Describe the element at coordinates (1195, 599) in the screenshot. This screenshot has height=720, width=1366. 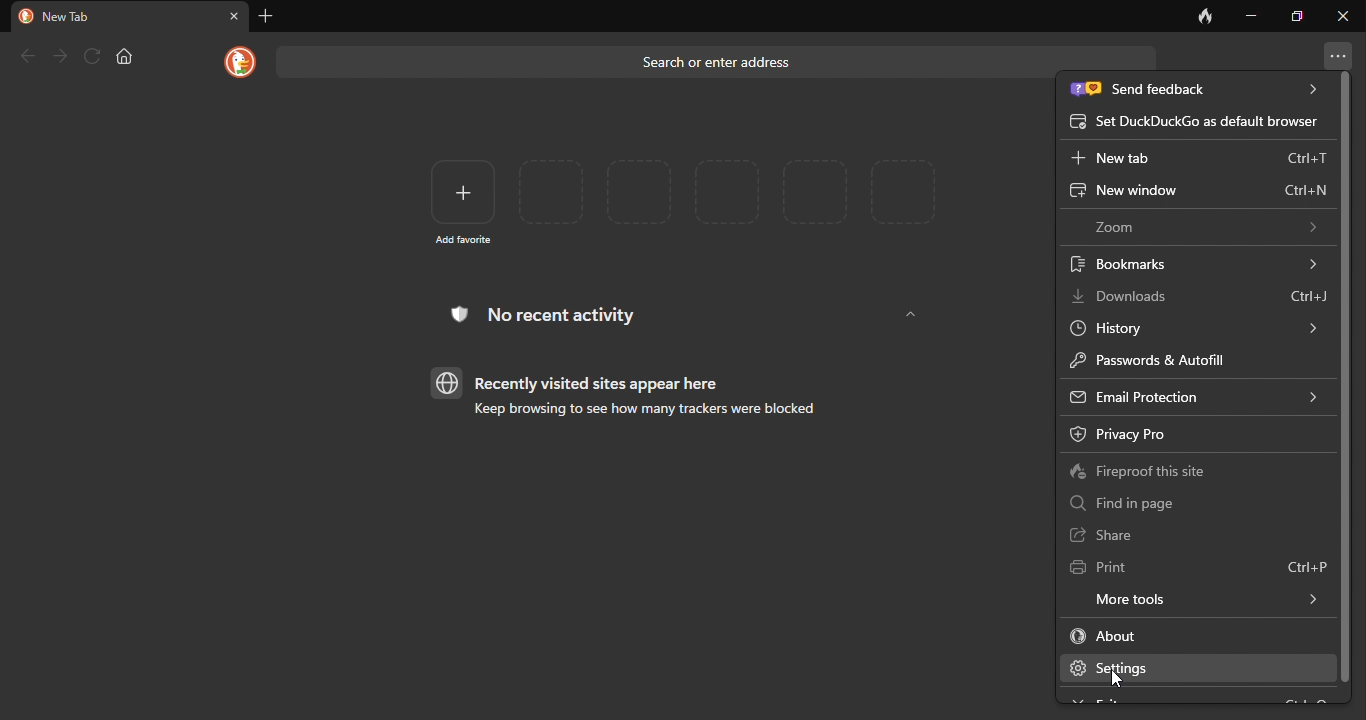
I see `more tools` at that location.